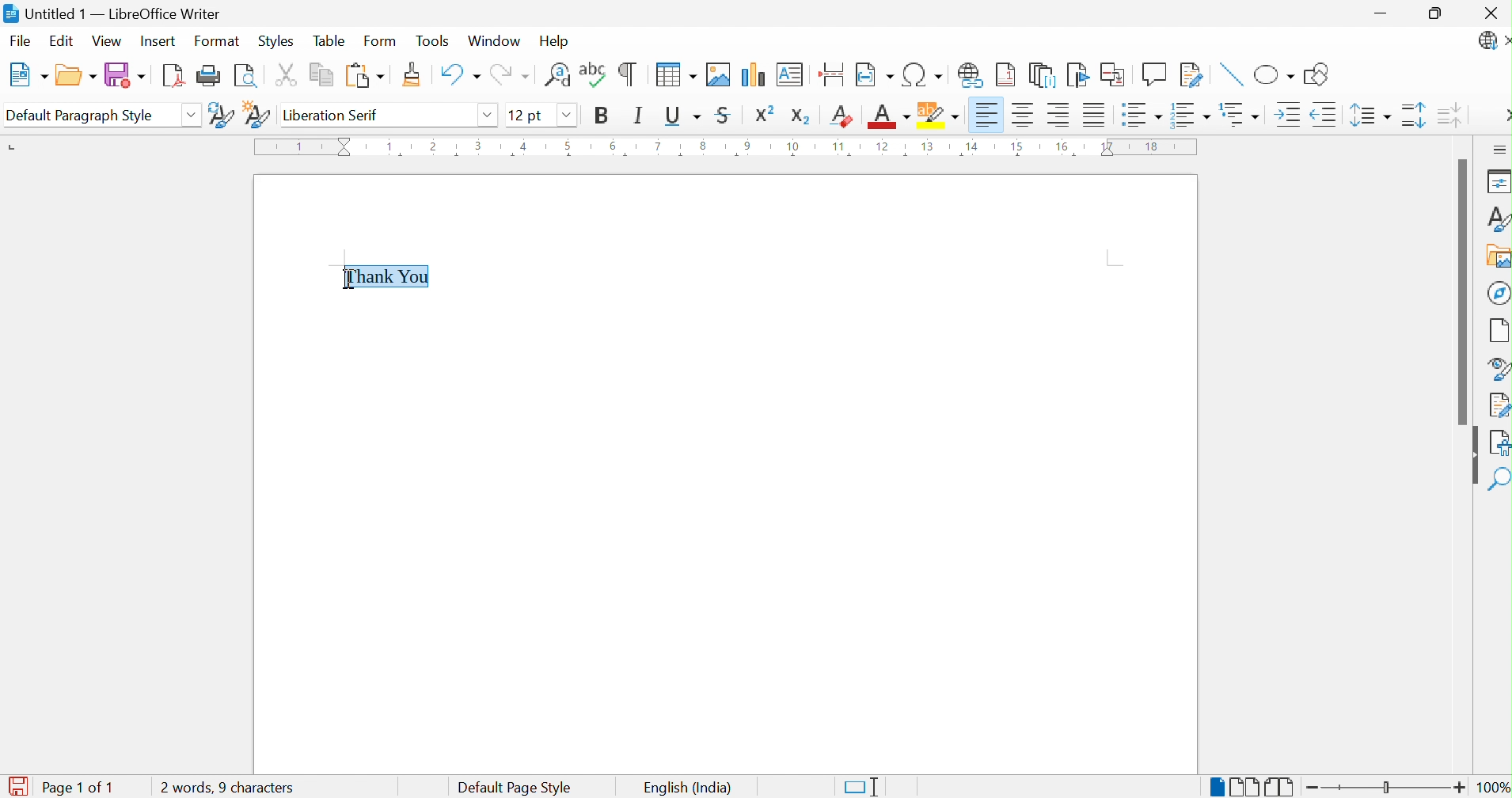  What do you see at coordinates (108, 42) in the screenshot?
I see `View` at bounding box center [108, 42].